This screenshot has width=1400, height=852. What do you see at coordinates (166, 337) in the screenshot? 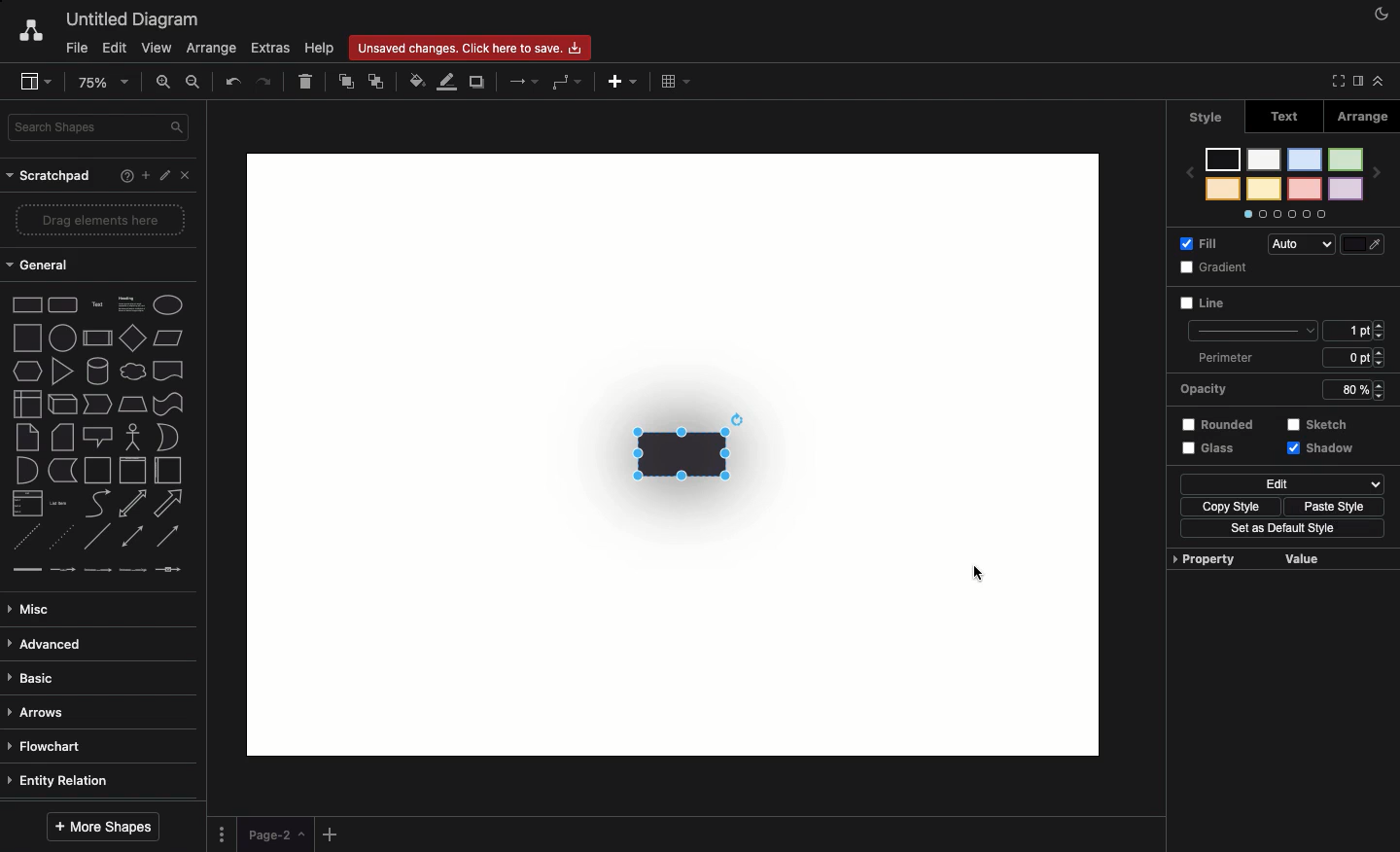
I see `Parallelogram` at bounding box center [166, 337].